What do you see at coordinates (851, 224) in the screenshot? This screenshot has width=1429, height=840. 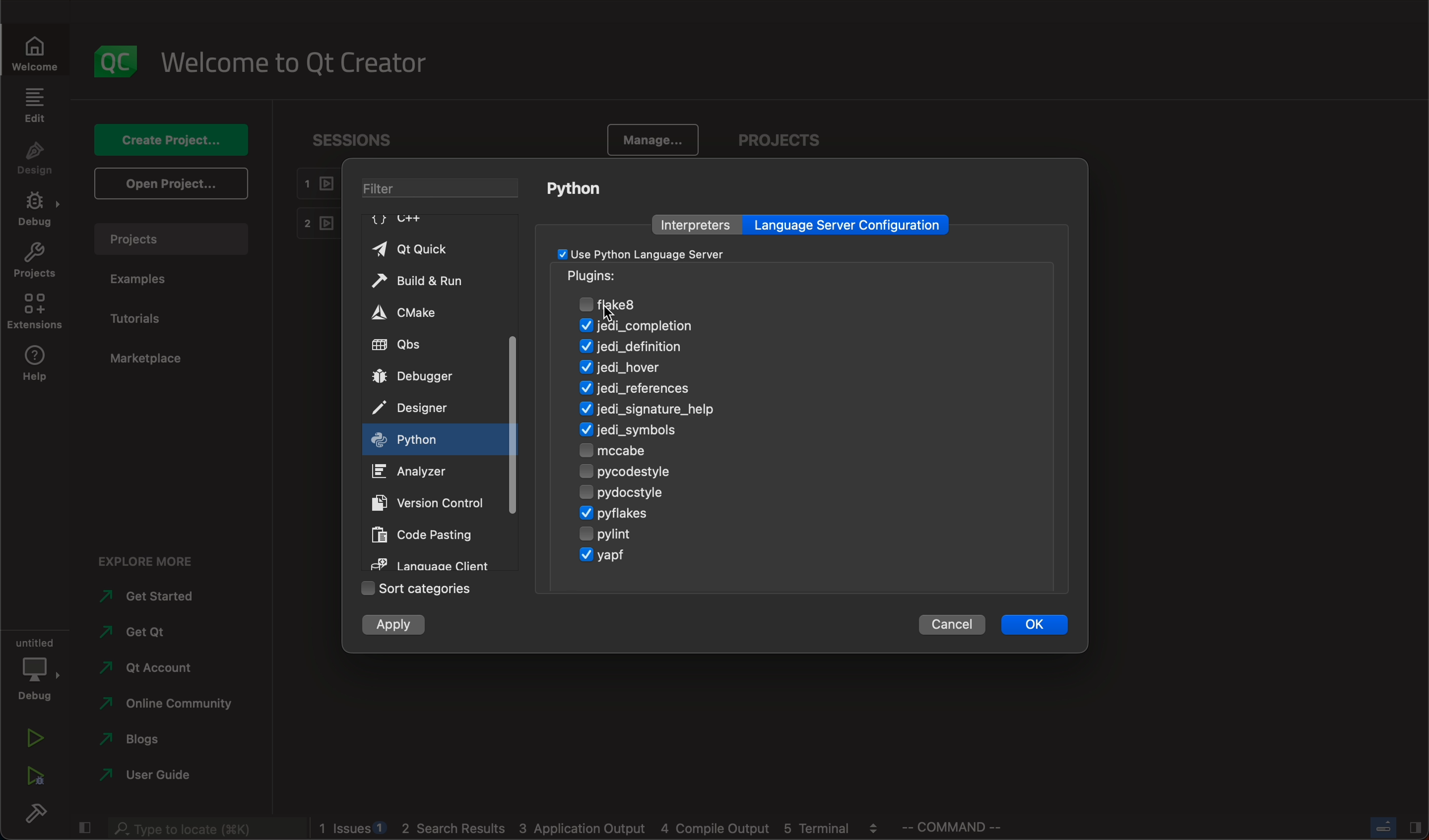 I see `language server` at bounding box center [851, 224].